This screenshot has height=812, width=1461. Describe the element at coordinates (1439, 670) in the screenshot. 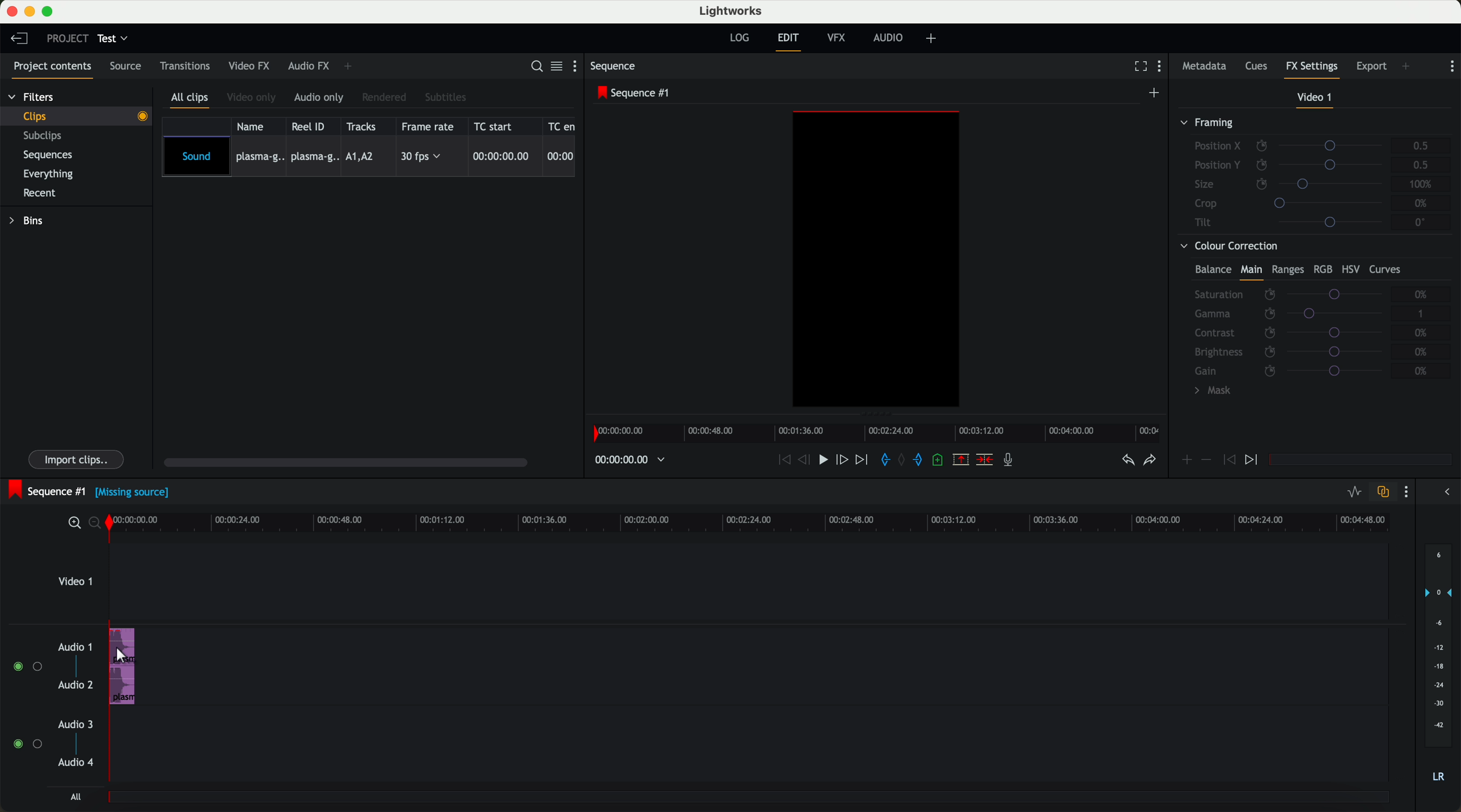

I see `audio output level` at that location.